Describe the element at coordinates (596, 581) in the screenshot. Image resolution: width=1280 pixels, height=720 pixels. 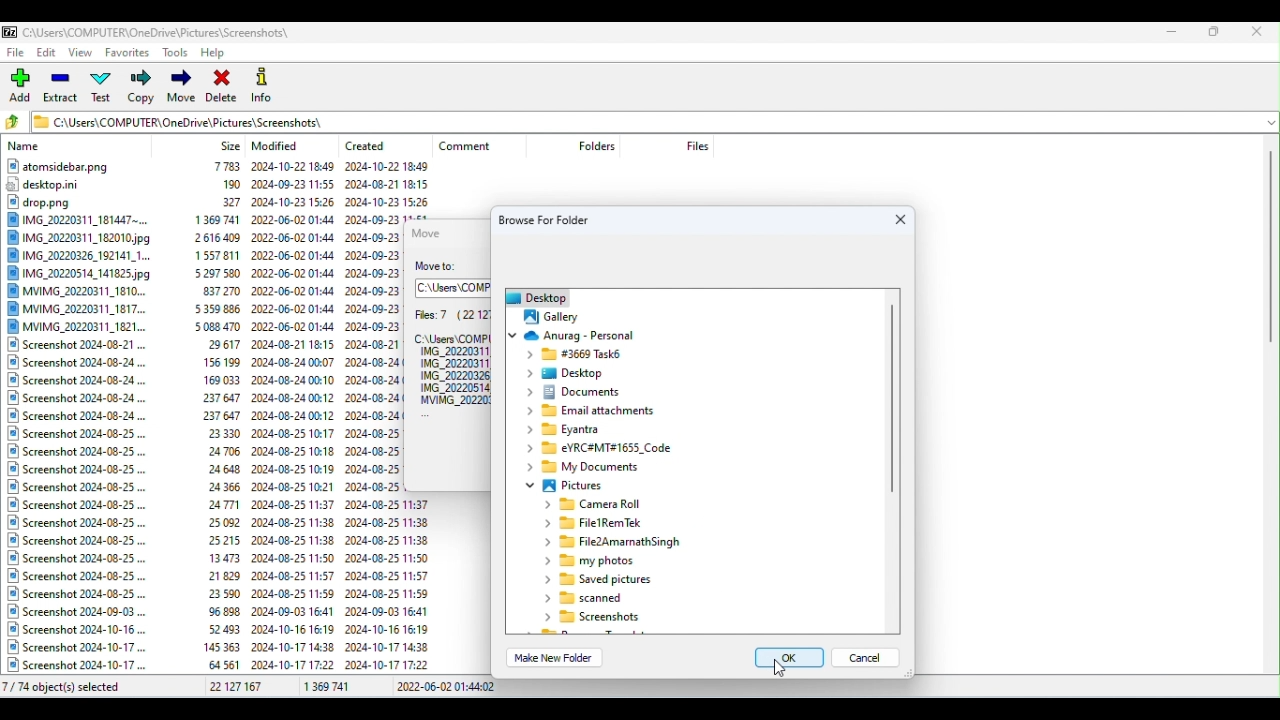
I see `Saved pictures` at that location.